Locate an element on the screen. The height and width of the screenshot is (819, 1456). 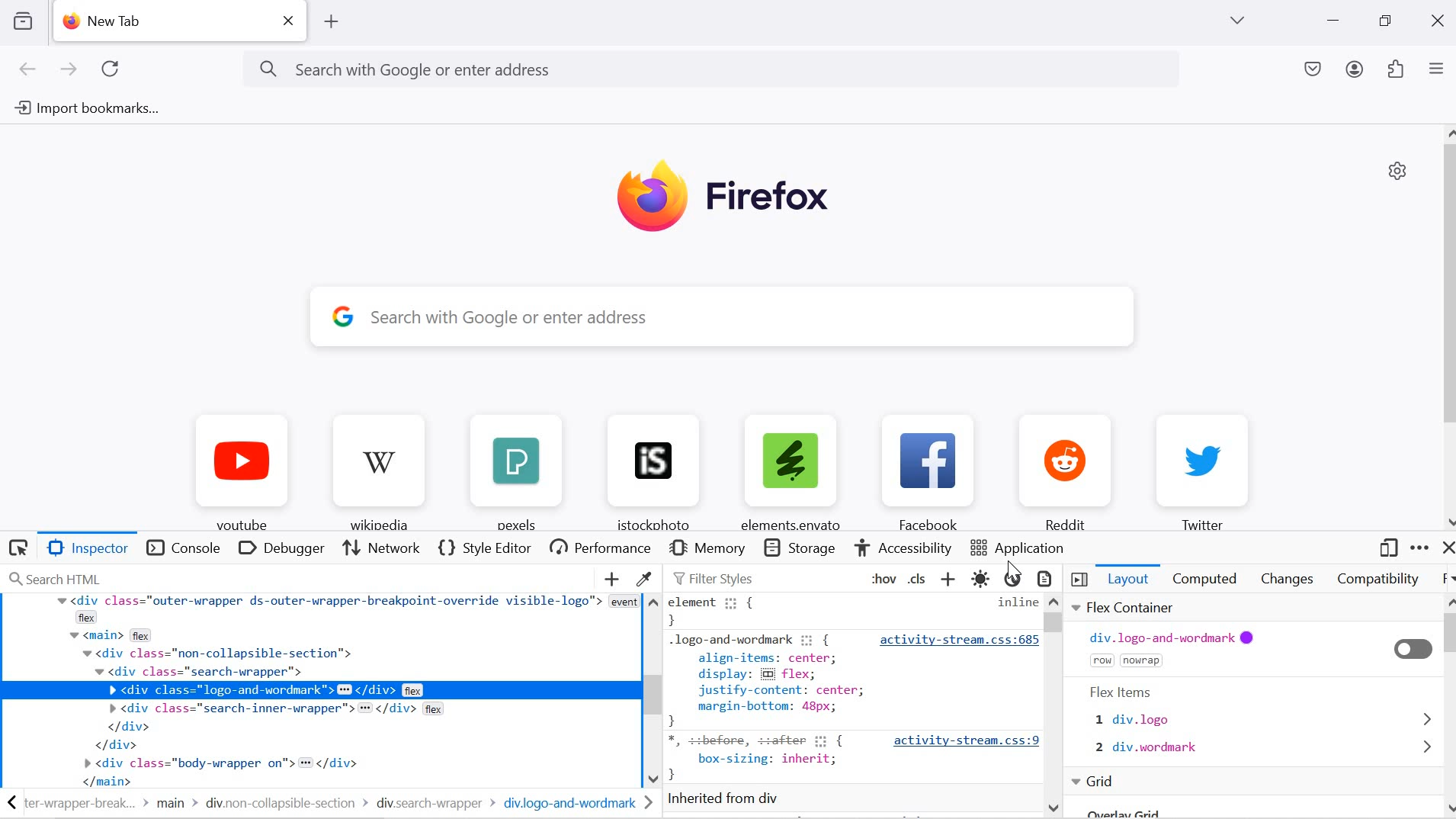
2 div.wordmark is located at coordinates (1262, 748).